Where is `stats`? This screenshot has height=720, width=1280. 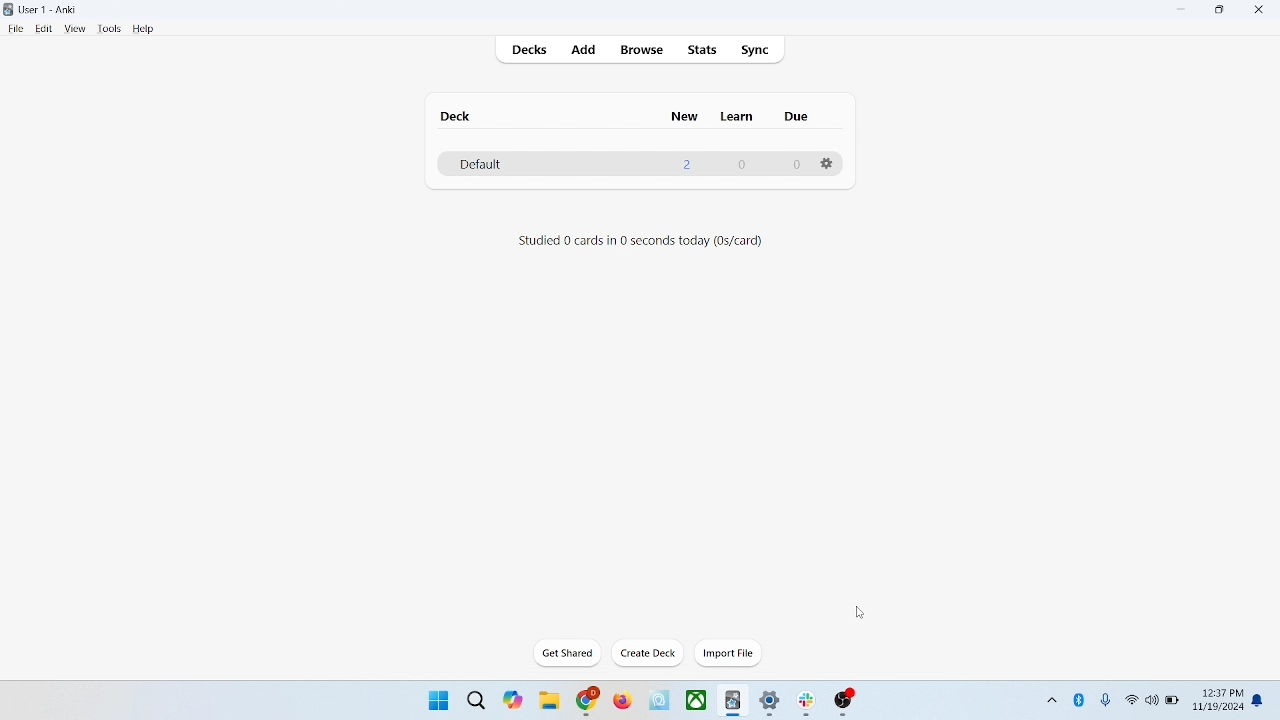
stats is located at coordinates (701, 50).